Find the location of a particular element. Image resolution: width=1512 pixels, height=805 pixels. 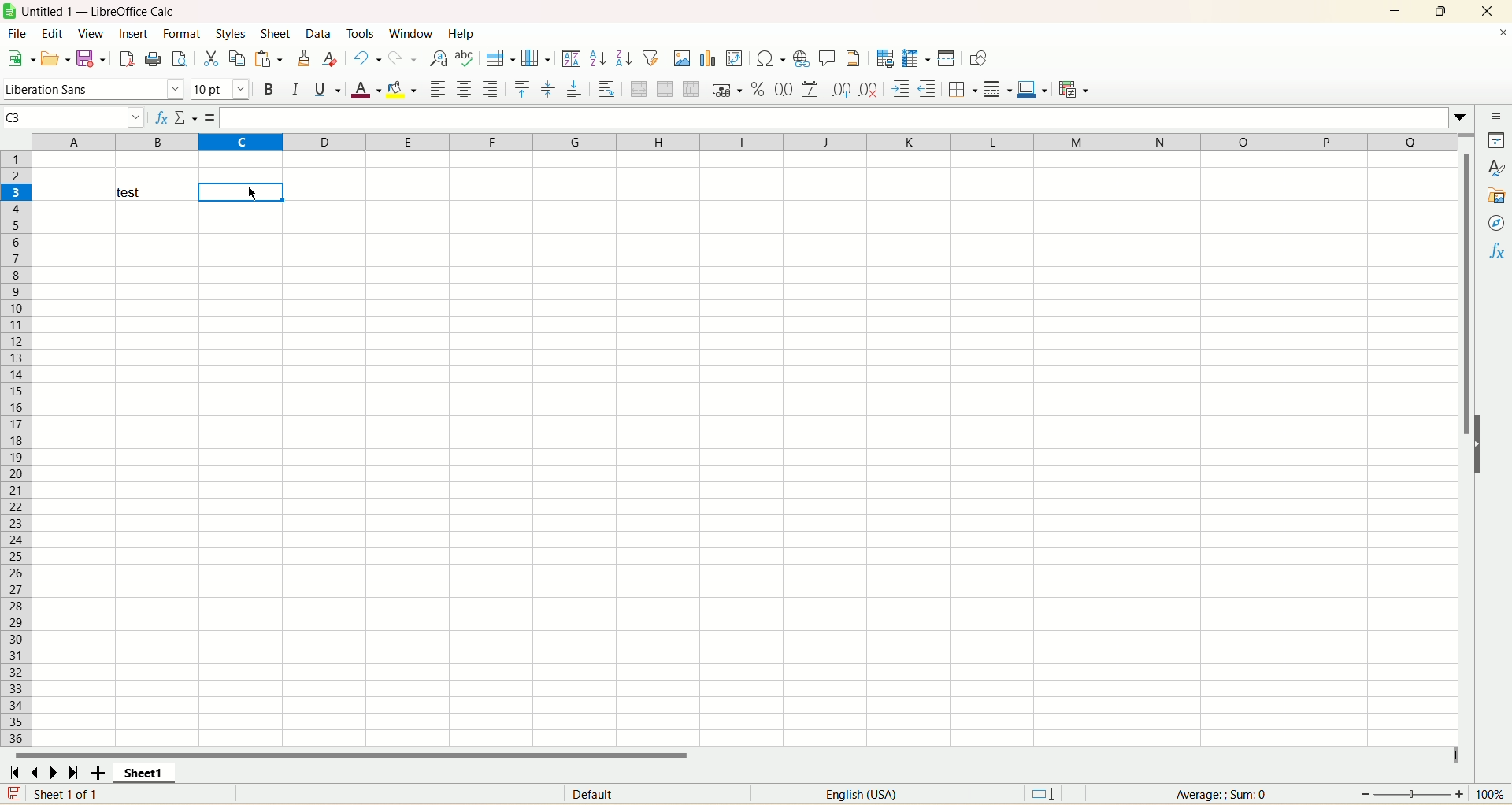

Default is located at coordinates (658, 793).